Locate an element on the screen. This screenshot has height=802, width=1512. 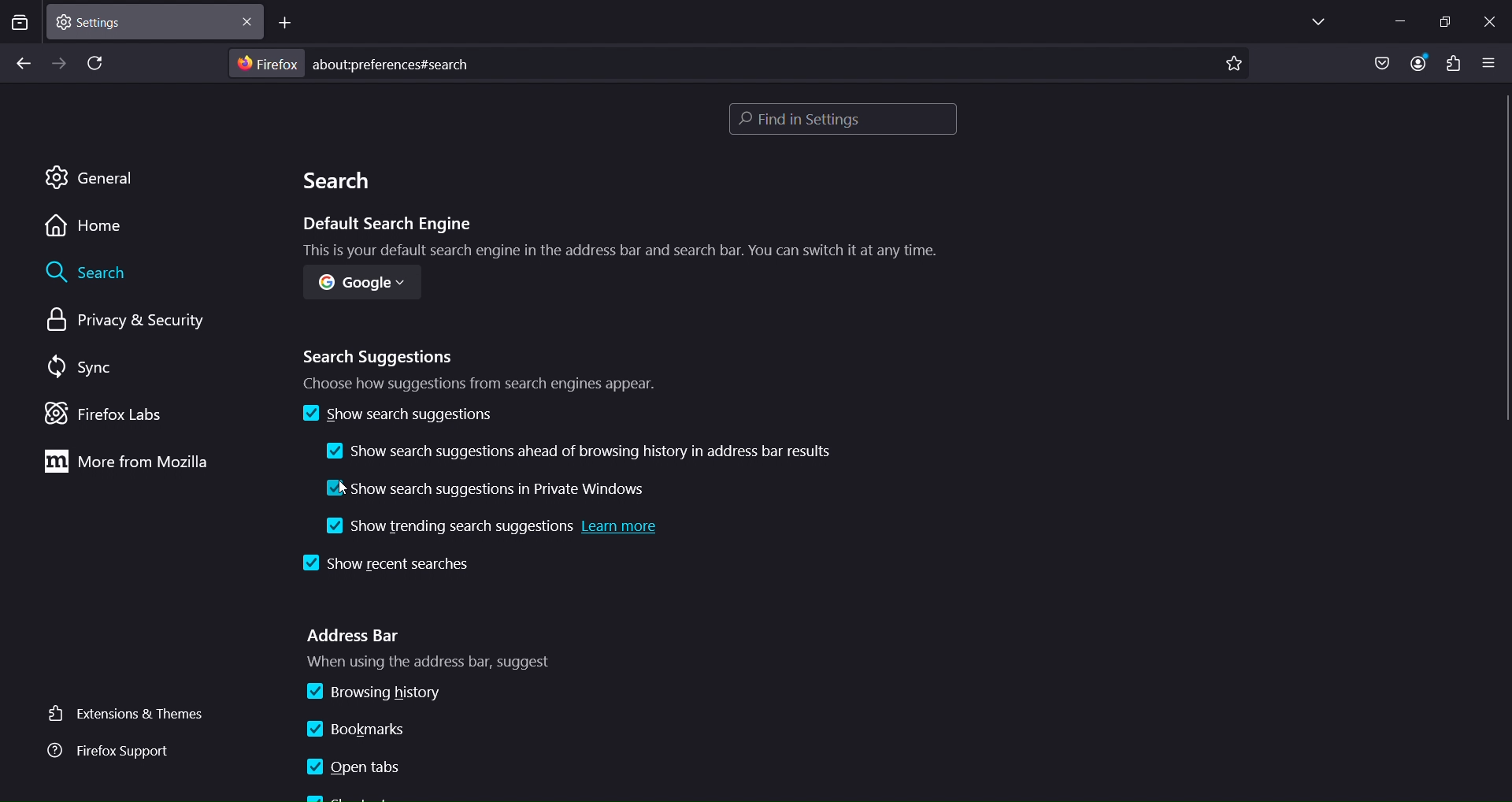
search suggestions is located at coordinates (483, 368).